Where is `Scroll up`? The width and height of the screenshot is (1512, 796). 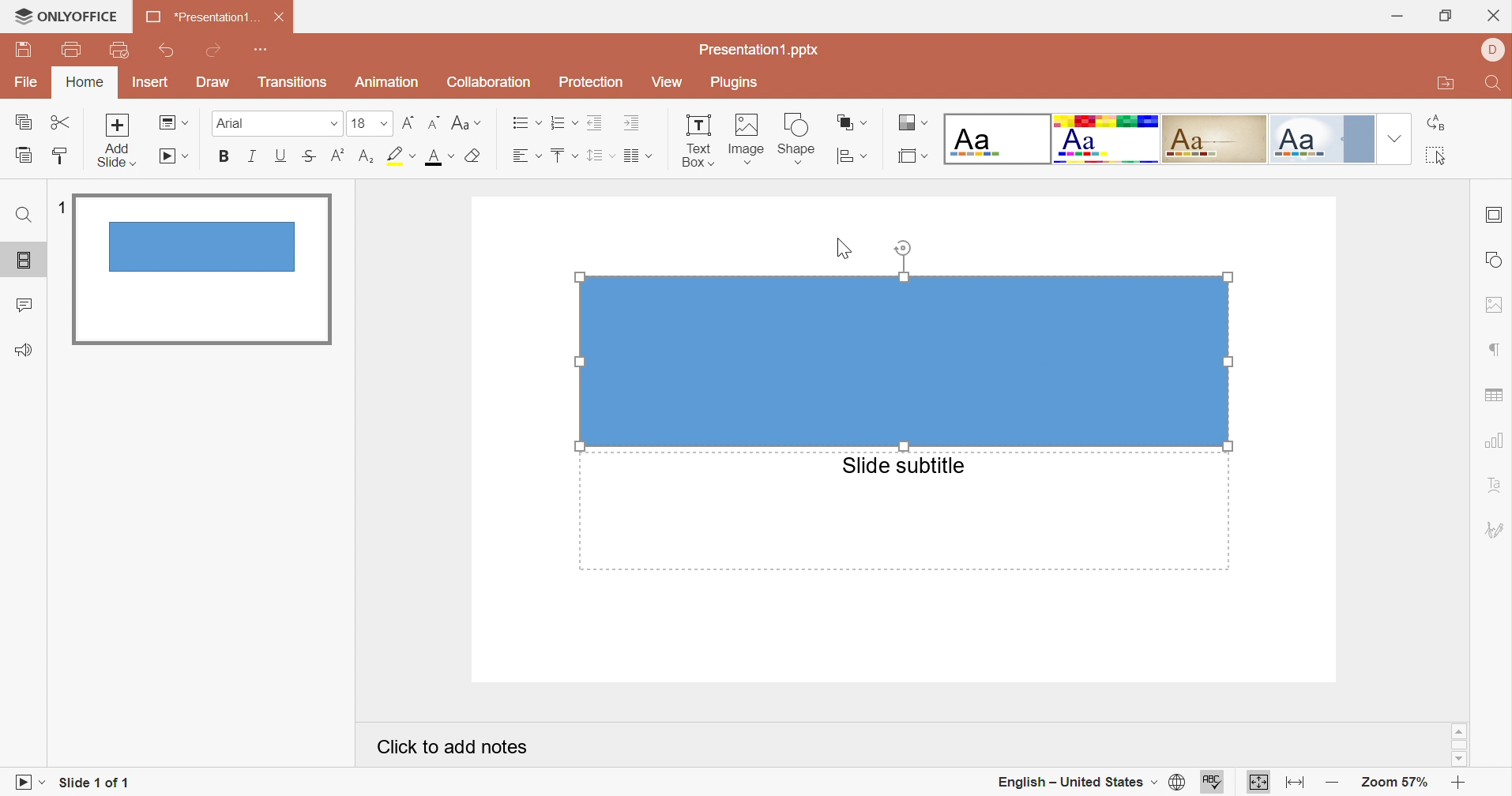
Scroll up is located at coordinates (1457, 730).